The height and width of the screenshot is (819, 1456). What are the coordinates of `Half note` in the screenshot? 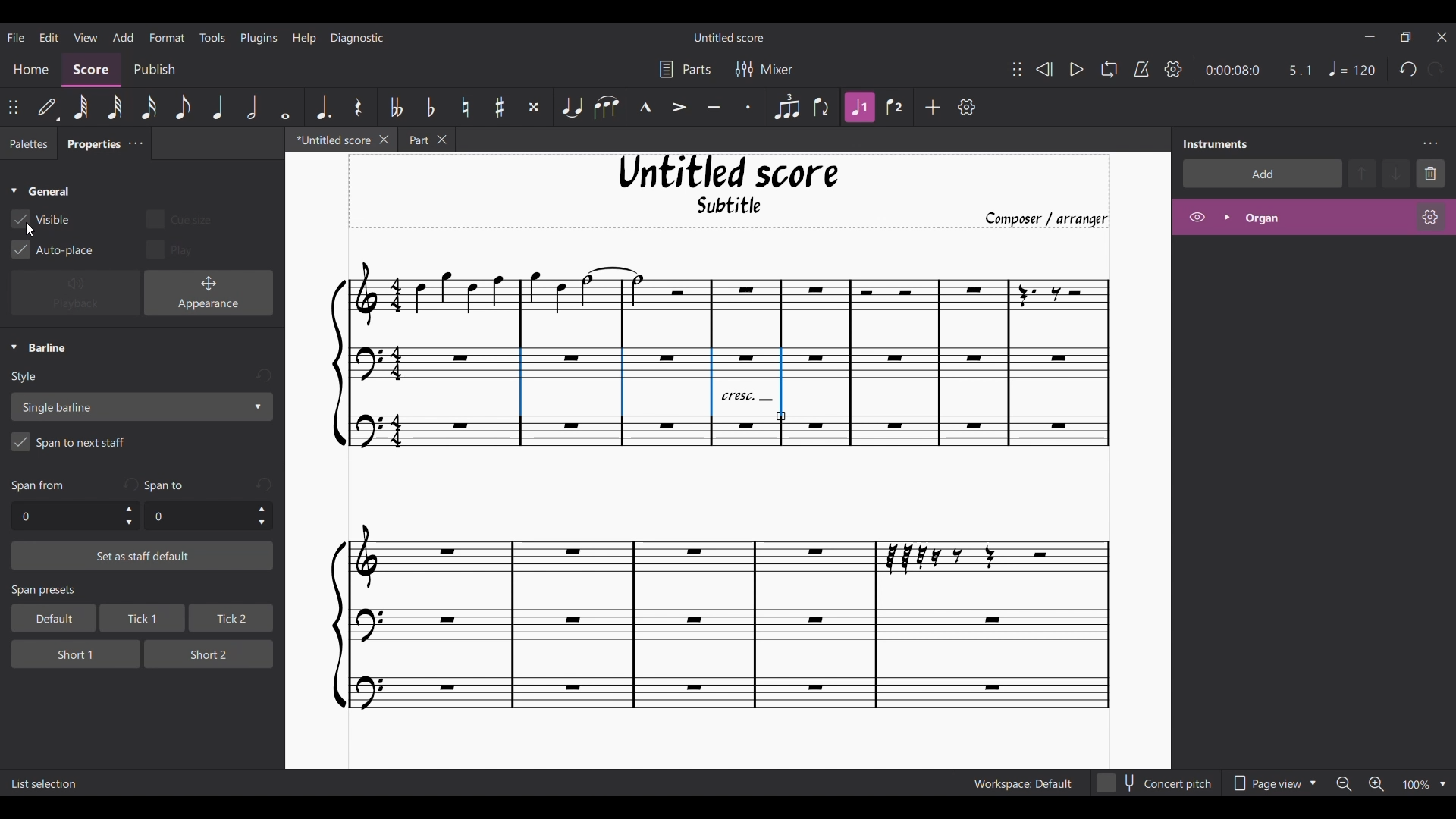 It's located at (253, 106).